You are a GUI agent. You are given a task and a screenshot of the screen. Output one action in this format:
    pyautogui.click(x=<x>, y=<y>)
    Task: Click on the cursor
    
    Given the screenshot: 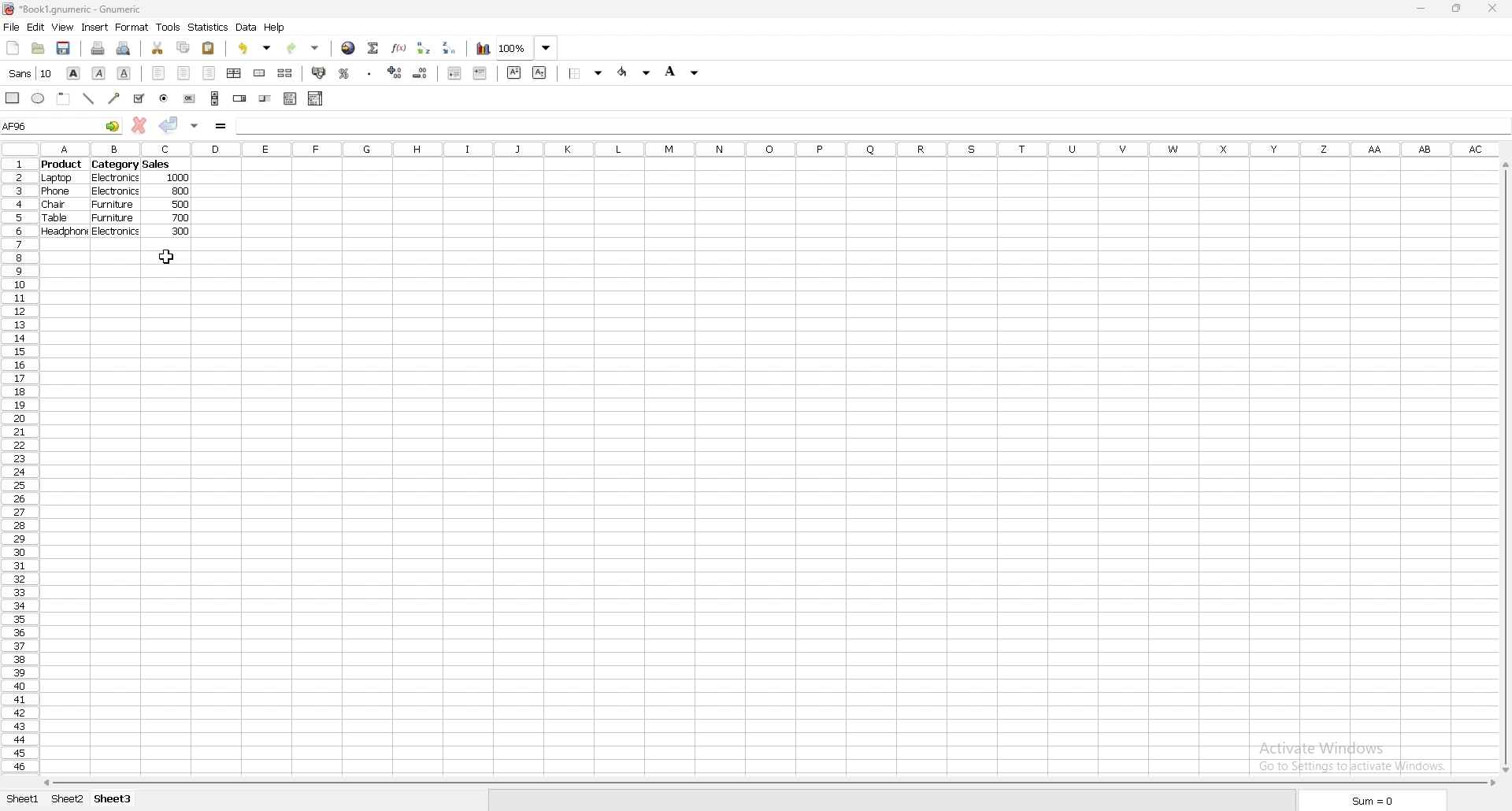 What is the action you would take?
    pyautogui.click(x=165, y=257)
    